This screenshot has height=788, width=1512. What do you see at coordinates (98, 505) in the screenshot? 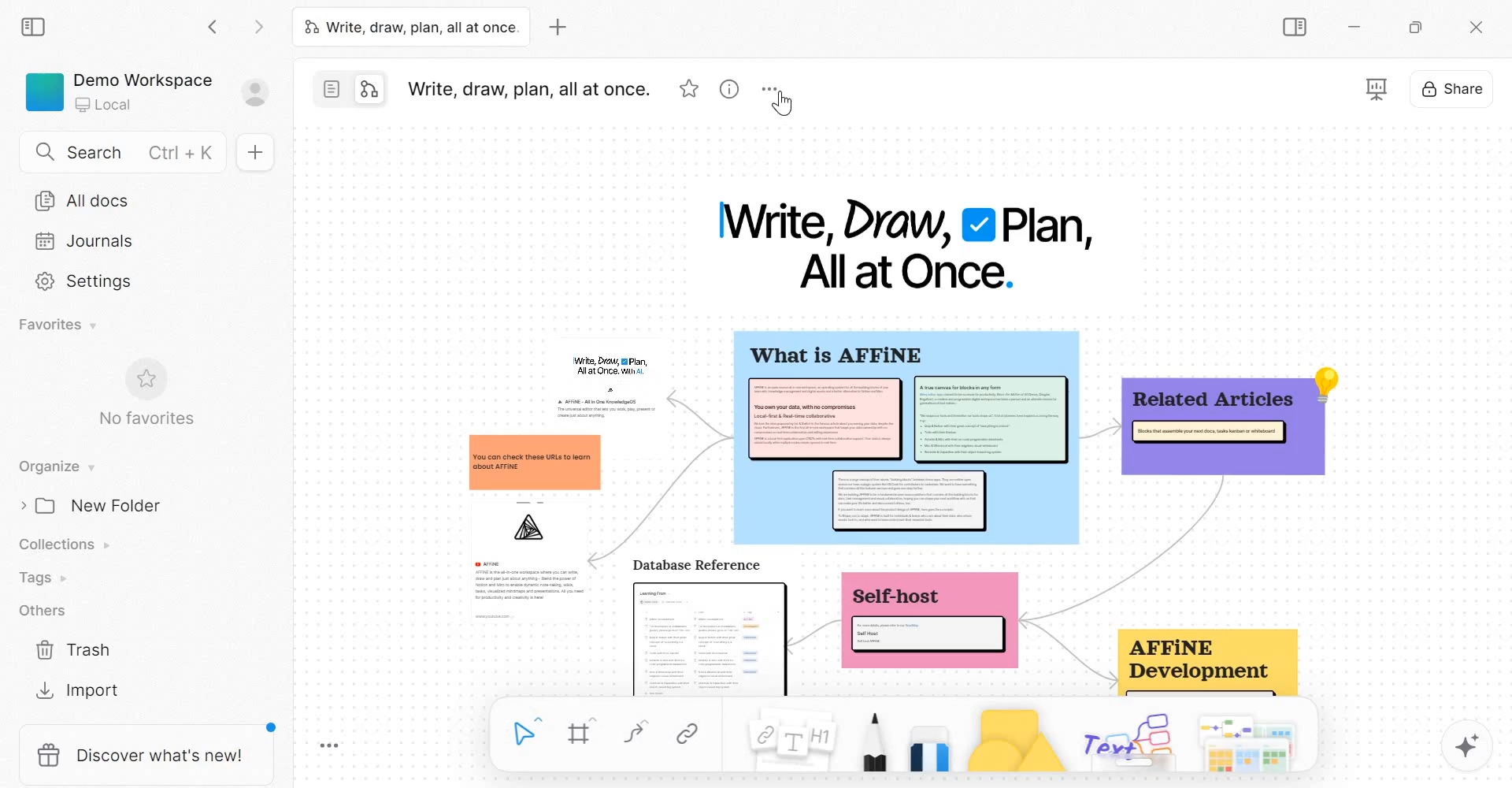
I see `New Folder` at bounding box center [98, 505].